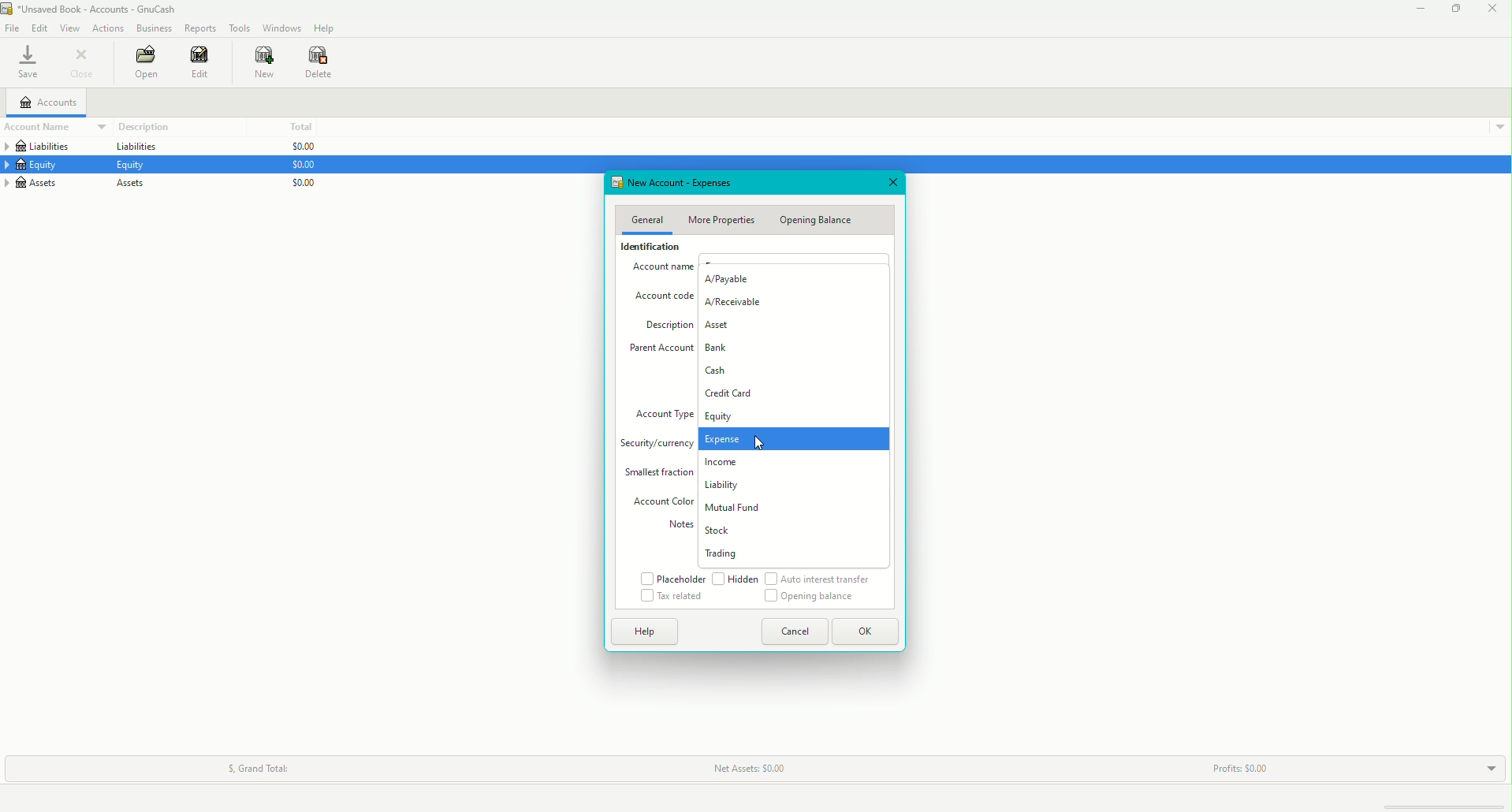 The width and height of the screenshot is (1512, 812). Describe the element at coordinates (868, 631) in the screenshot. I see `OK` at that location.